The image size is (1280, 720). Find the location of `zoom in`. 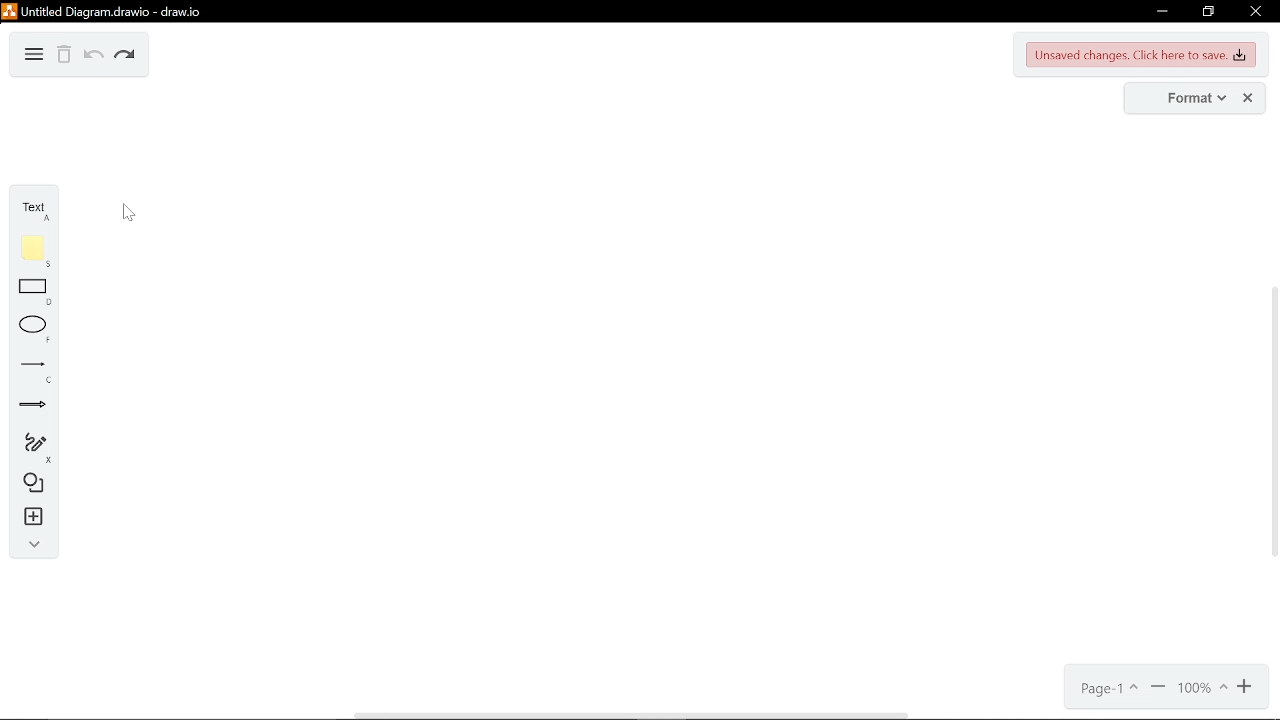

zoom in is located at coordinates (1247, 688).